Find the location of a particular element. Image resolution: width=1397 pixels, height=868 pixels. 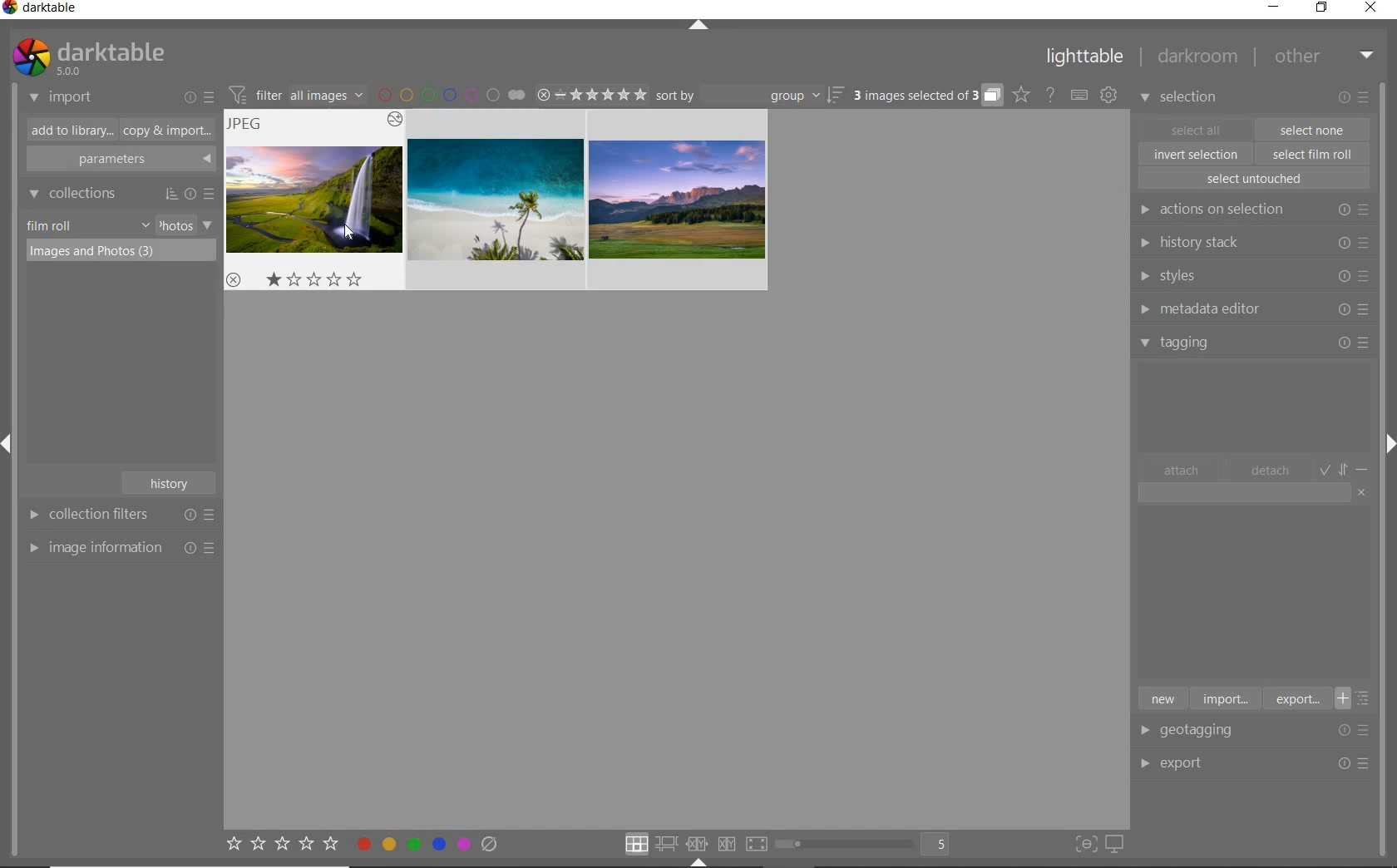

click option to select layout is located at coordinates (693, 844).